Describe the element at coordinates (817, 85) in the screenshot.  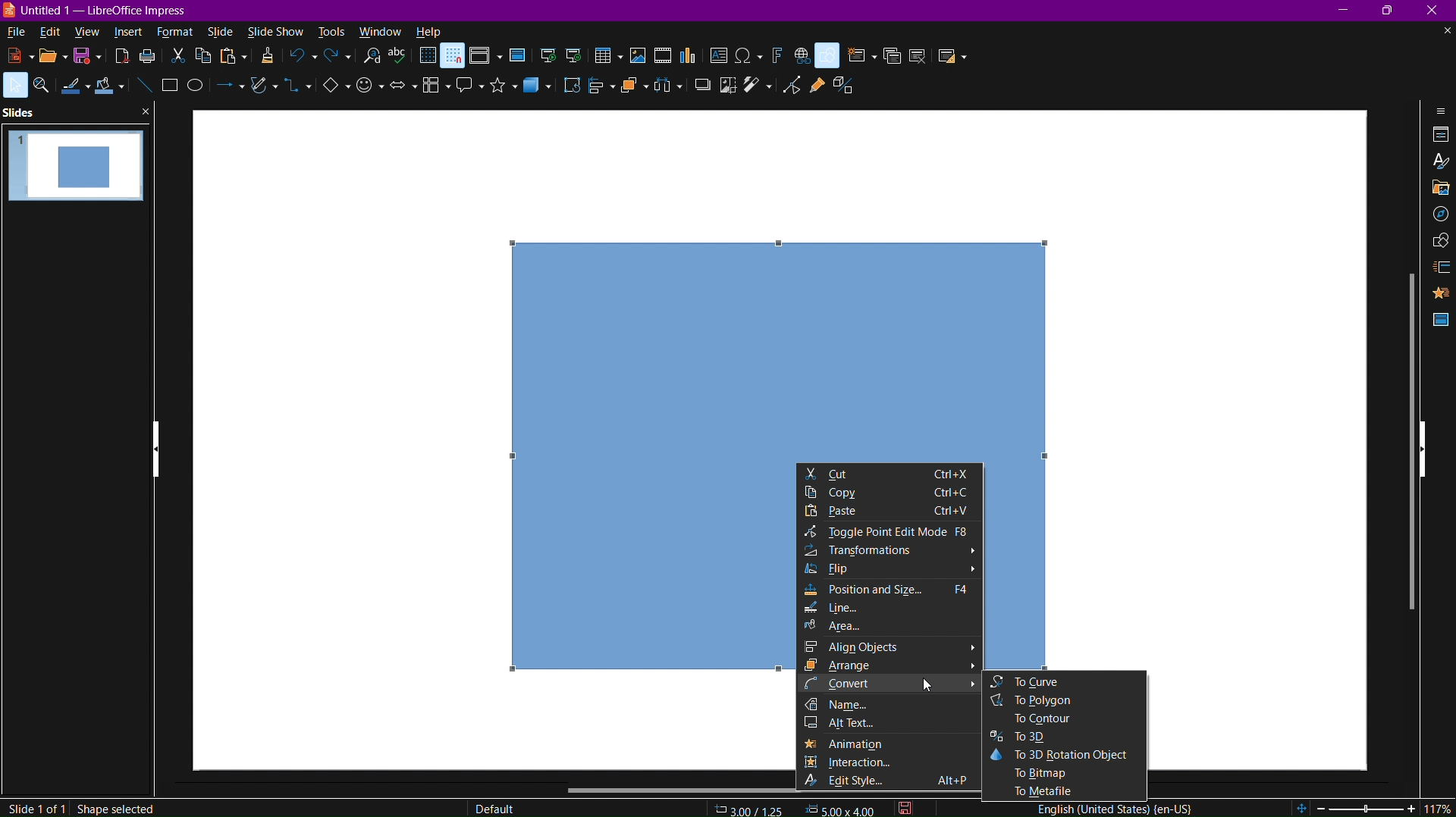
I see `Show Gluepoint Function` at that location.